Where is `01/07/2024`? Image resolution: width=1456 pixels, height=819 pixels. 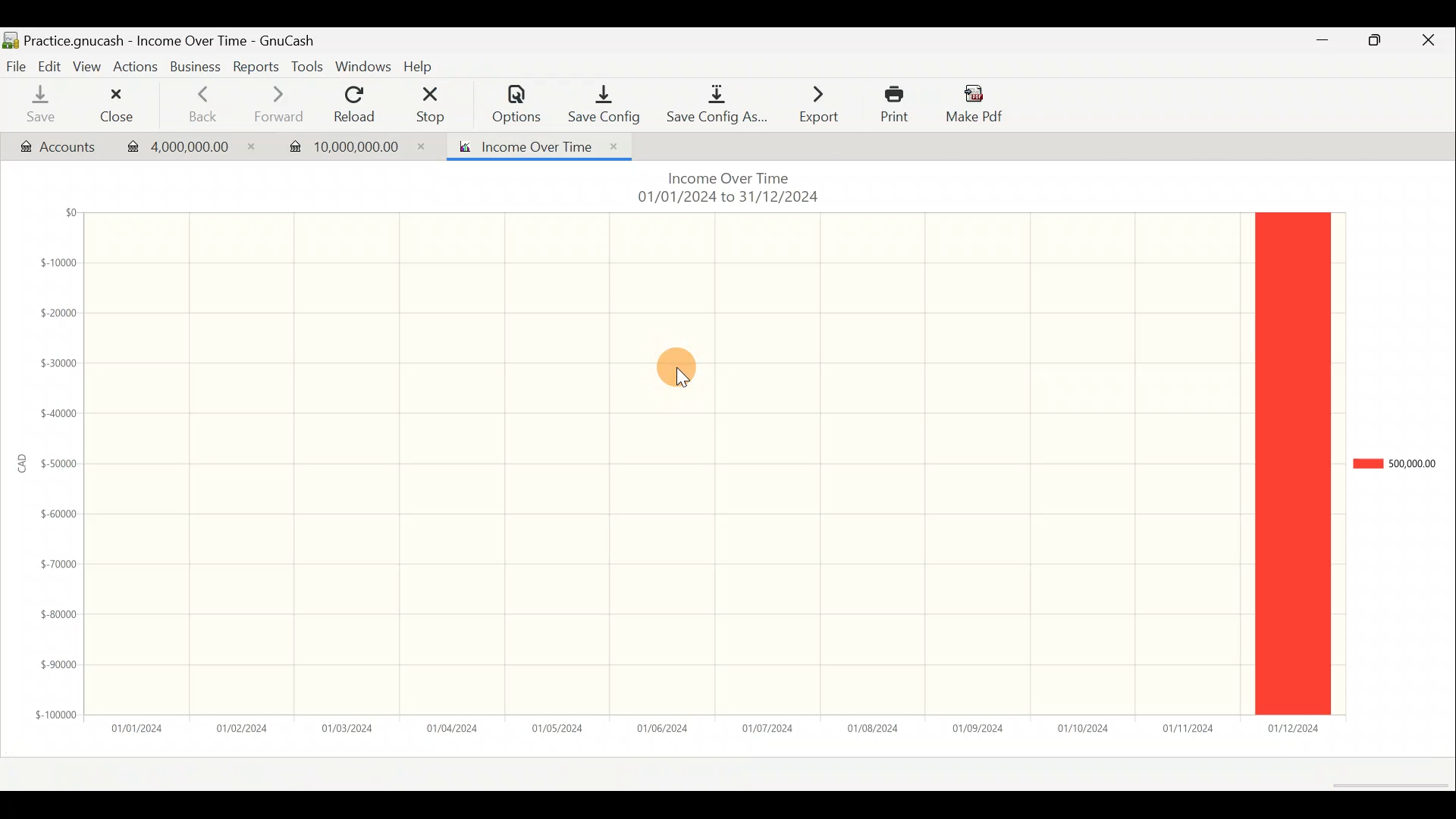
01/07/2024 is located at coordinates (766, 726).